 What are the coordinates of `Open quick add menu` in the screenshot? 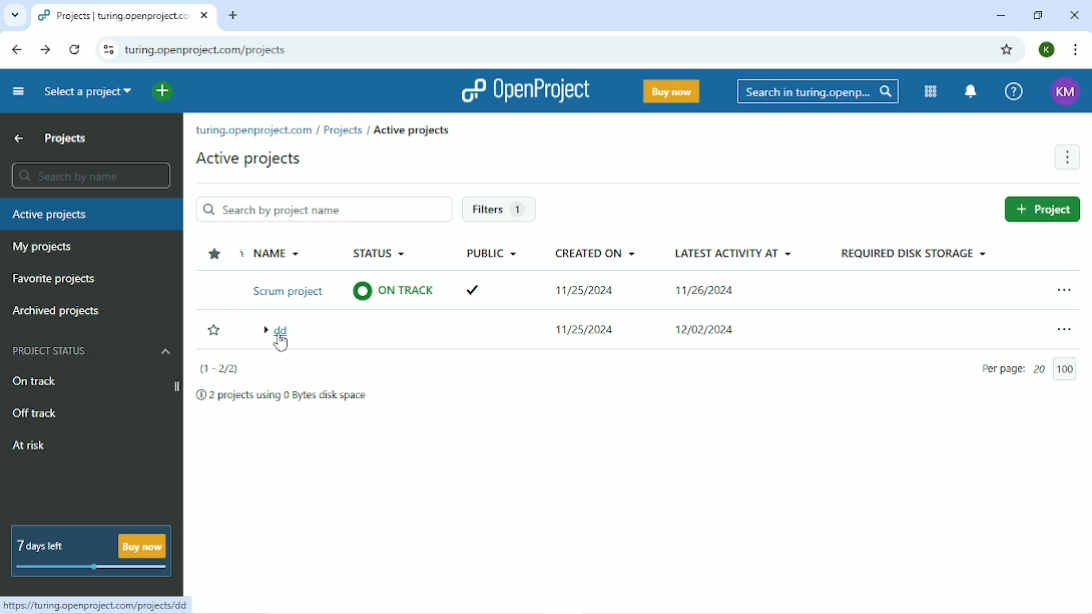 It's located at (164, 90).